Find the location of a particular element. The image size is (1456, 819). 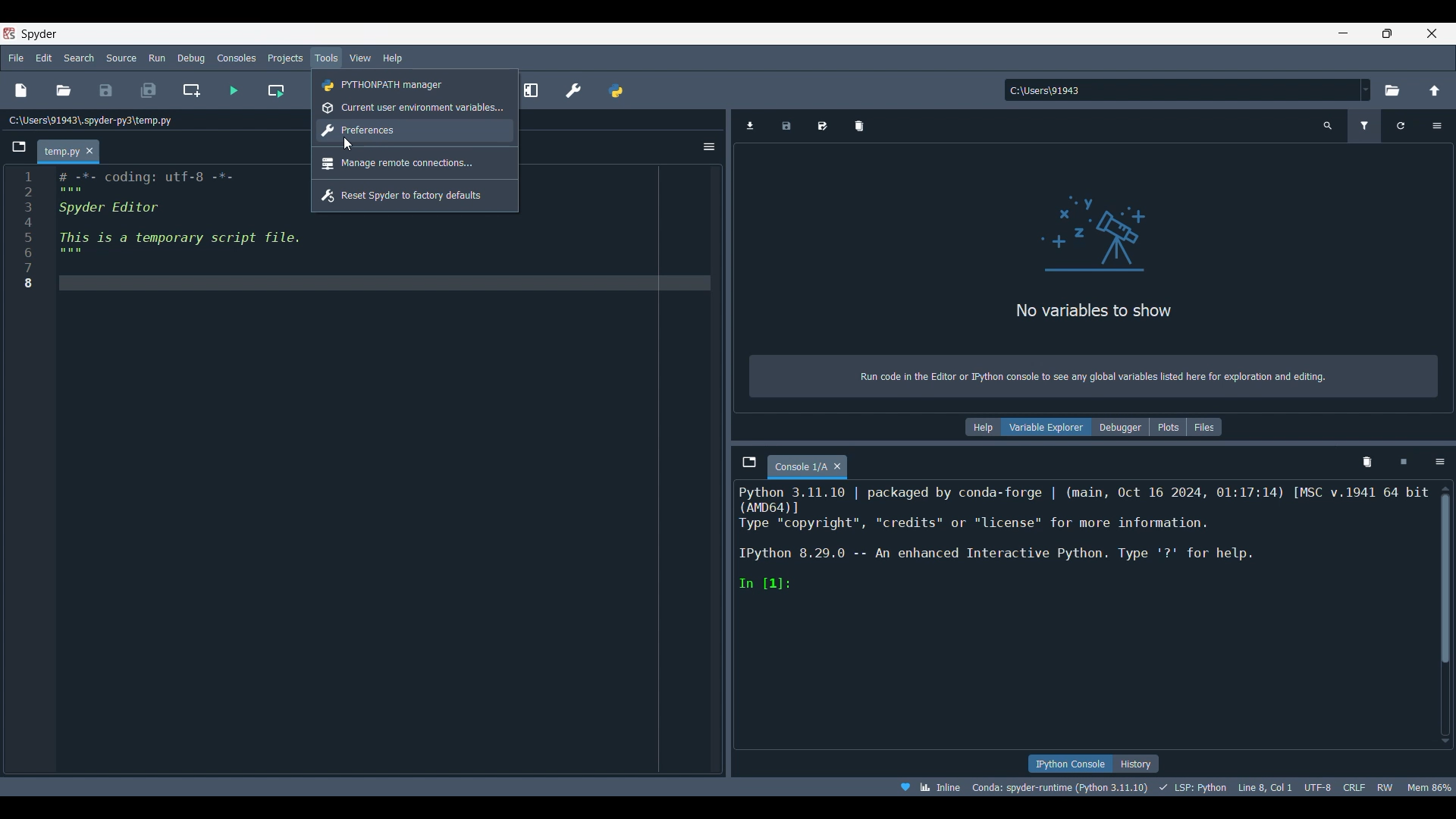

programming language is located at coordinates (1195, 786).